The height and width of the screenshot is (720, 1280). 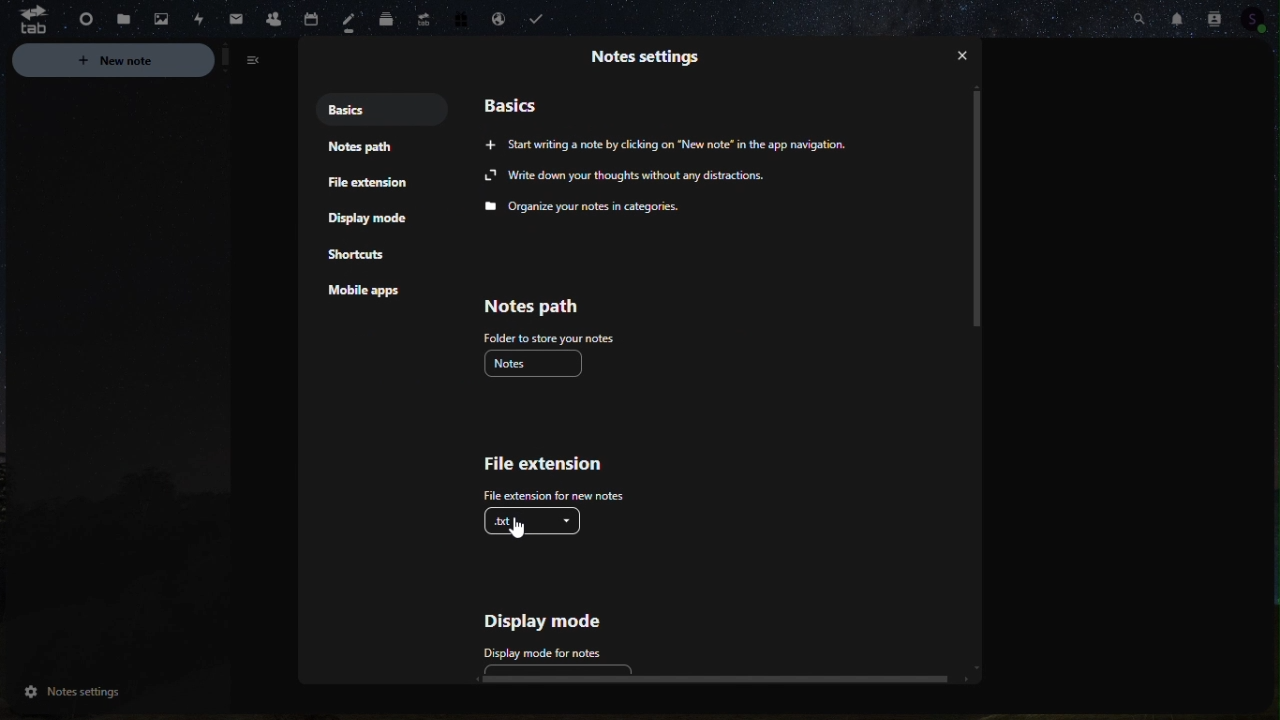 What do you see at coordinates (1262, 22) in the screenshot?
I see `Profile` at bounding box center [1262, 22].